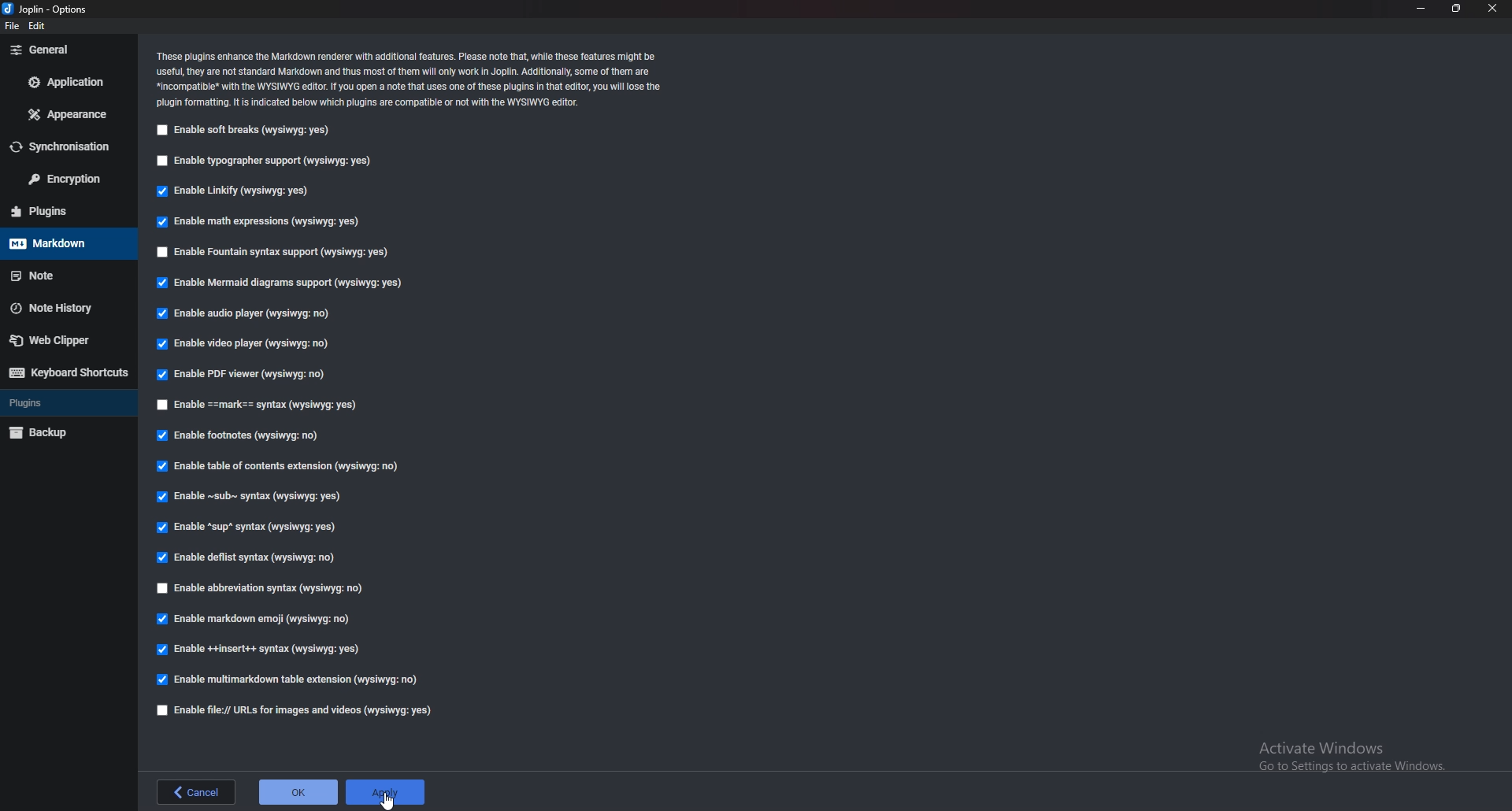  Describe the element at coordinates (66, 49) in the screenshot. I see `General` at that location.